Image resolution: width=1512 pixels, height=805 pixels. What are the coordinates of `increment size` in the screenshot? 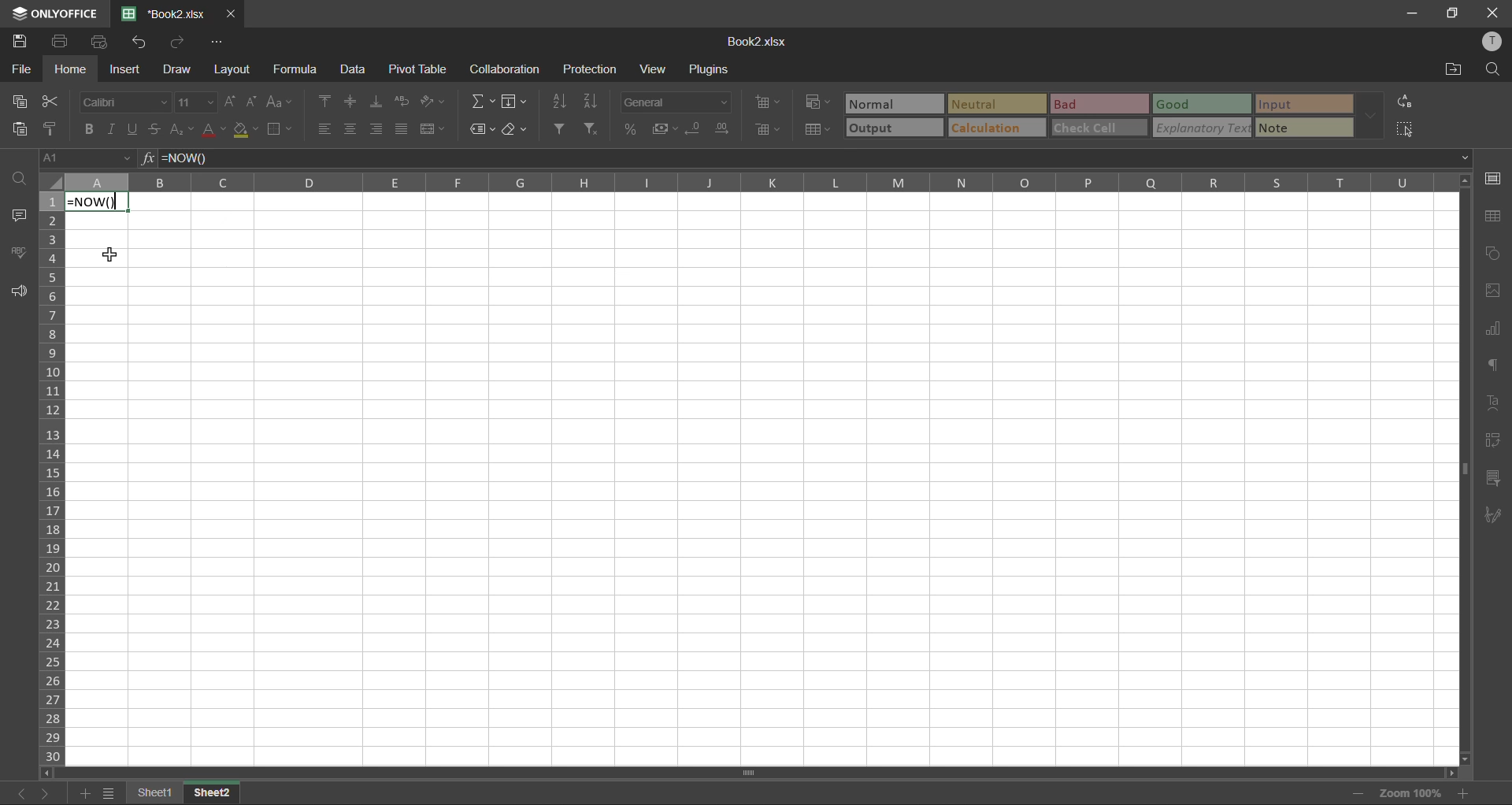 It's located at (234, 102).